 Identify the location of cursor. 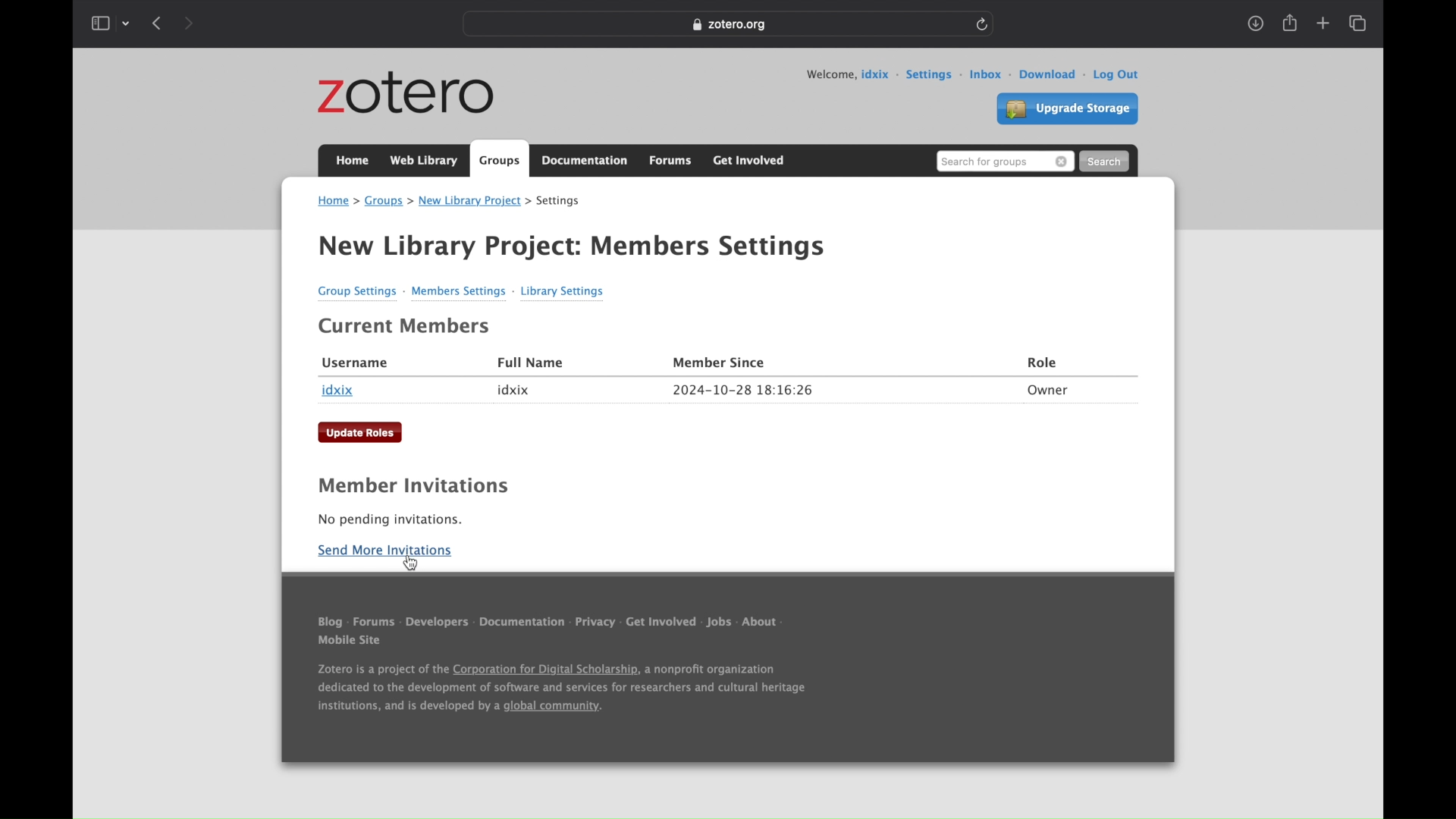
(412, 566).